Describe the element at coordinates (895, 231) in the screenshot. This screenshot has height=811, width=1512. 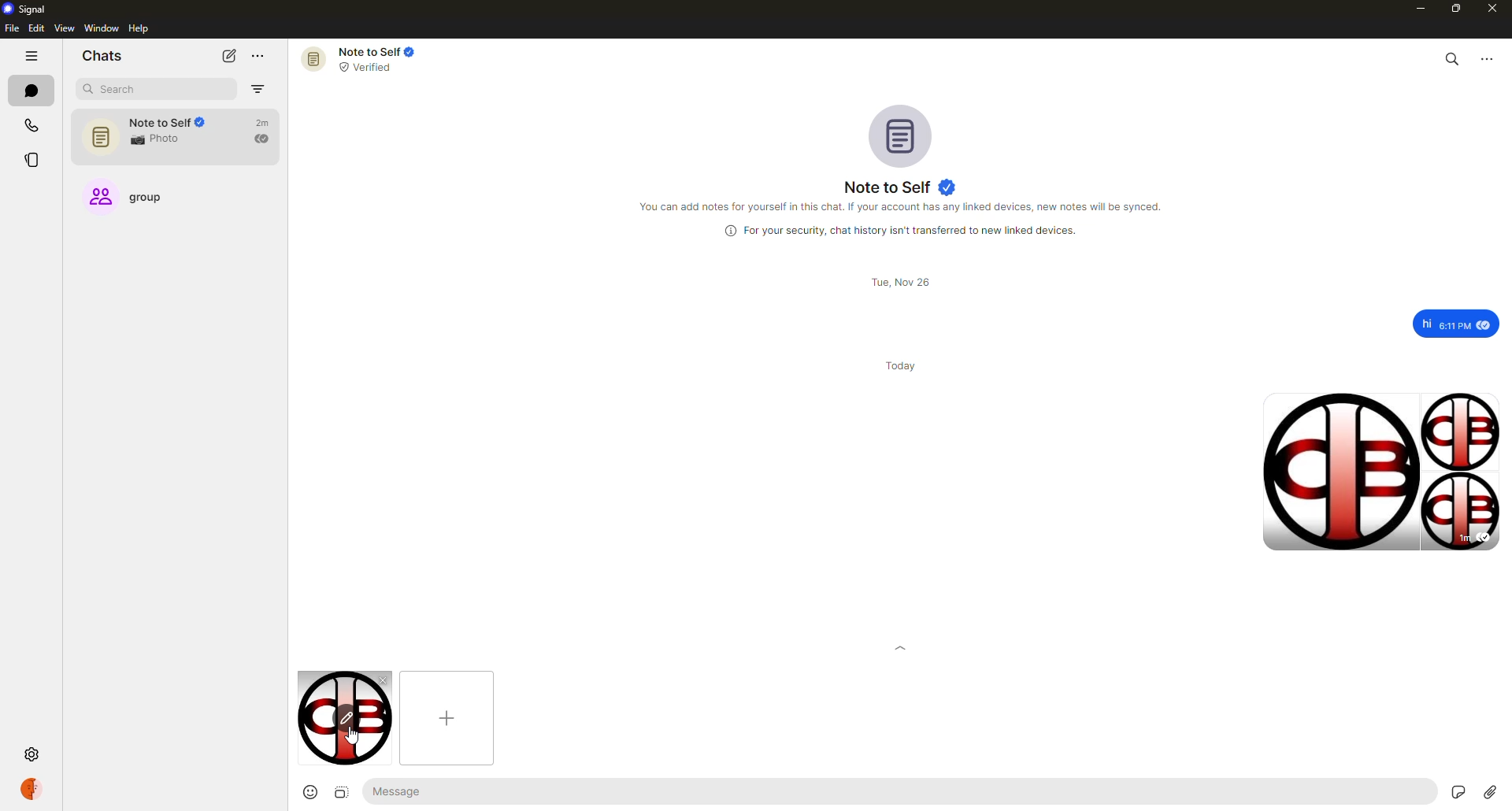
I see `info` at that location.